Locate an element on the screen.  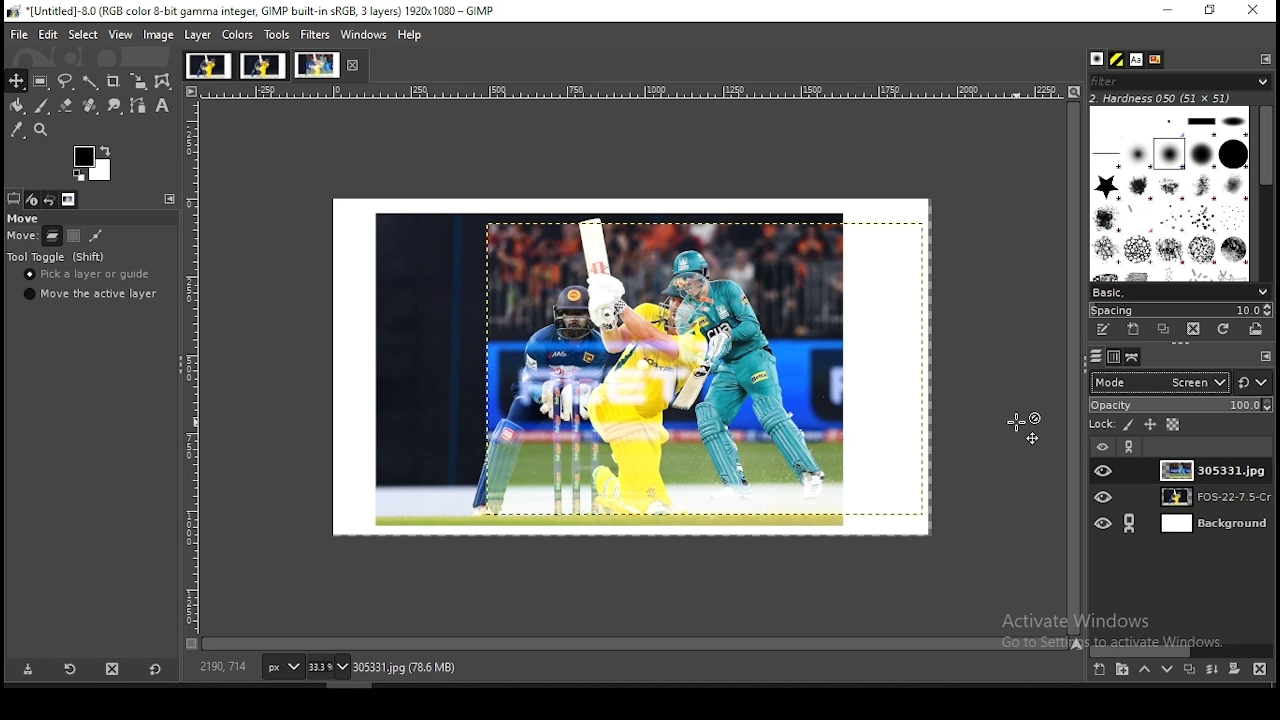
spacing is located at coordinates (1183, 309).